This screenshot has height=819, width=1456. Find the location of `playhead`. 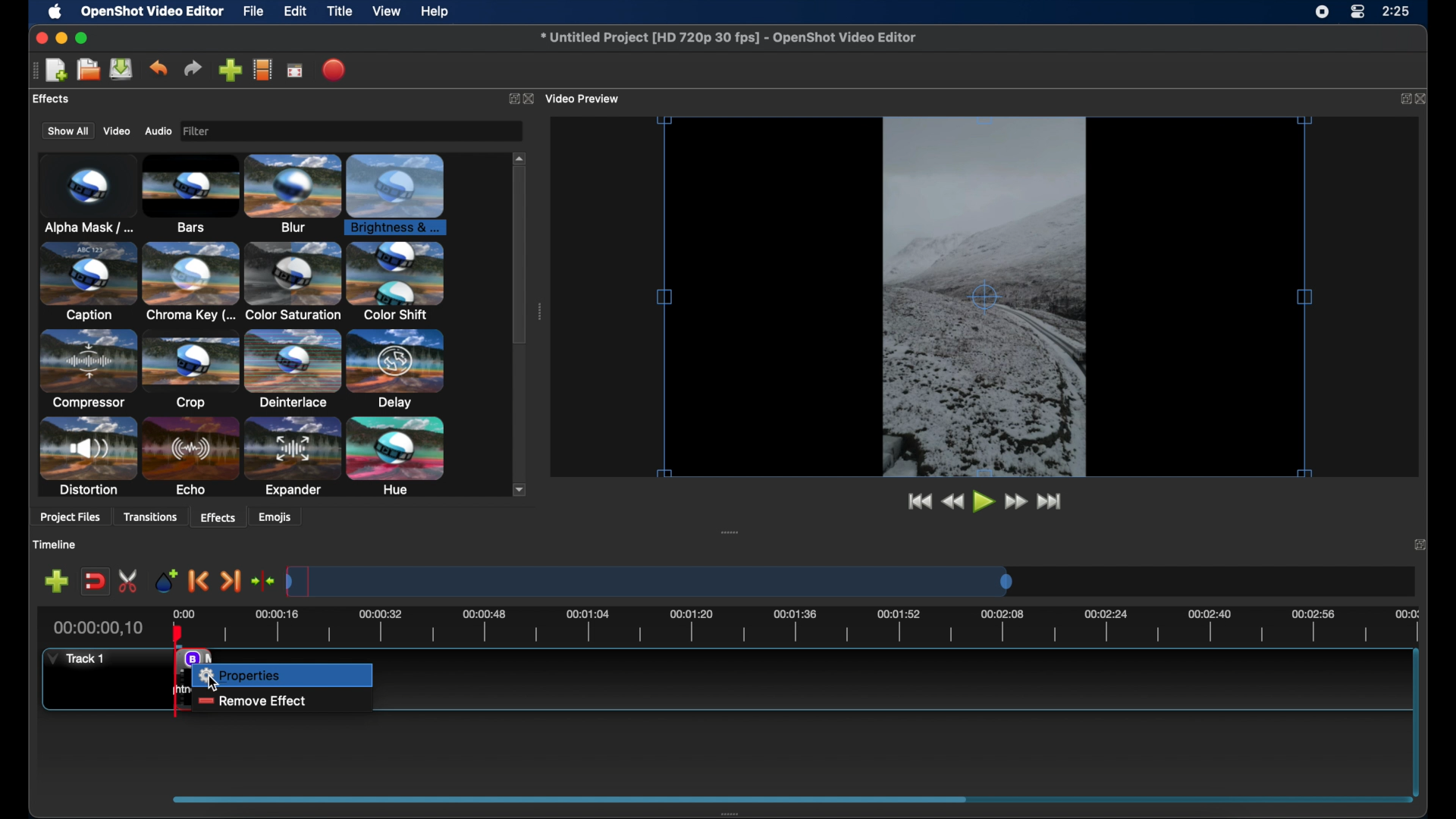

playhead is located at coordinates (177, 632).